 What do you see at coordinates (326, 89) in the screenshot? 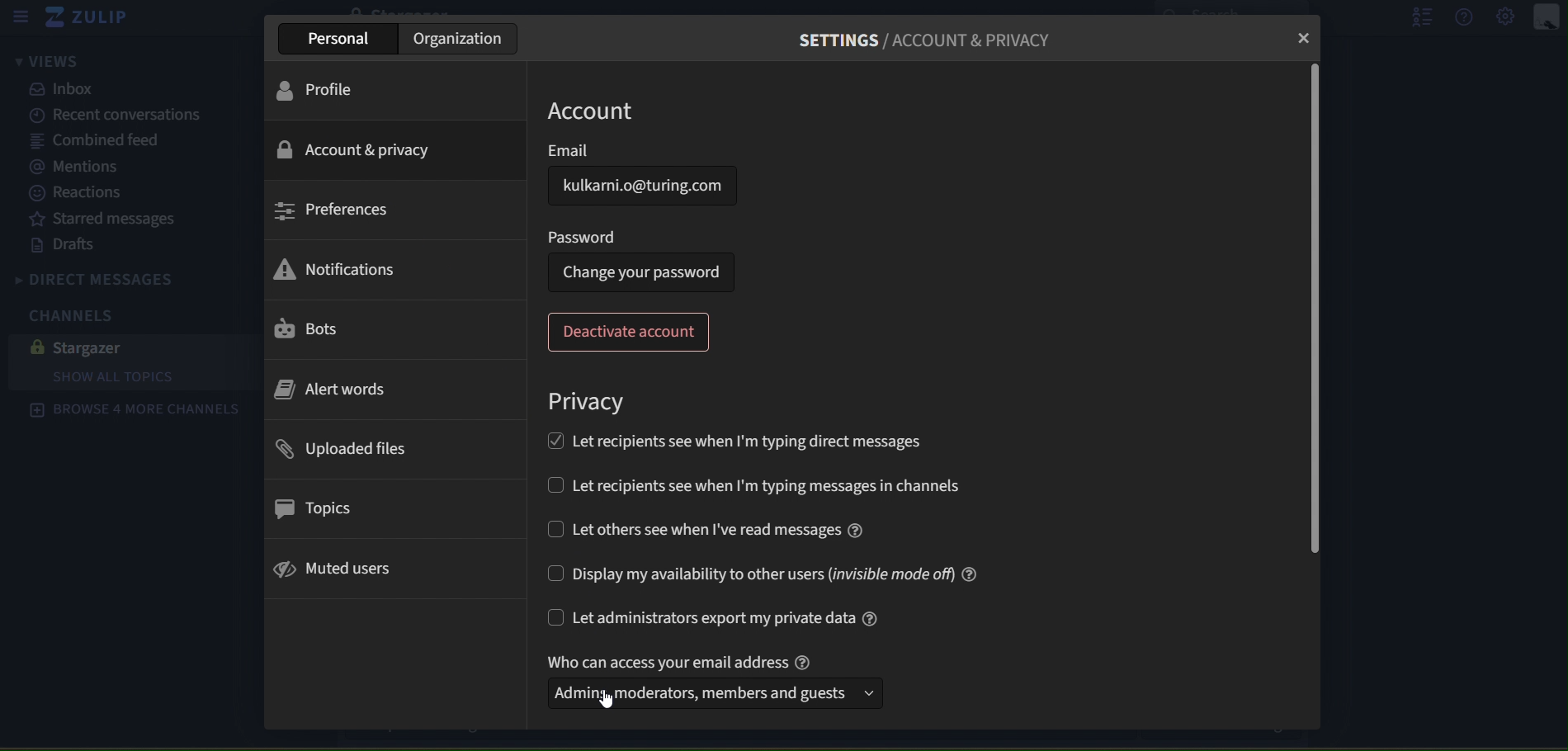
I see `profile` at bounding box center [326, 89].